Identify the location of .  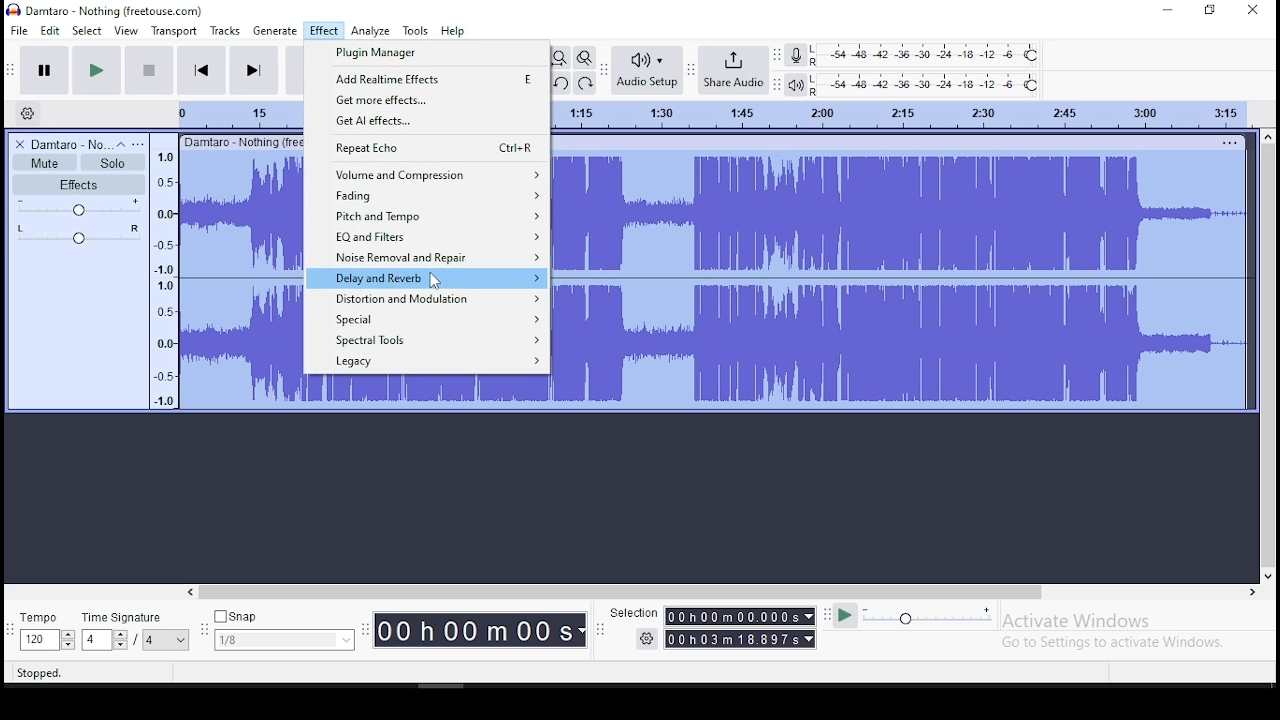
(240, 141).